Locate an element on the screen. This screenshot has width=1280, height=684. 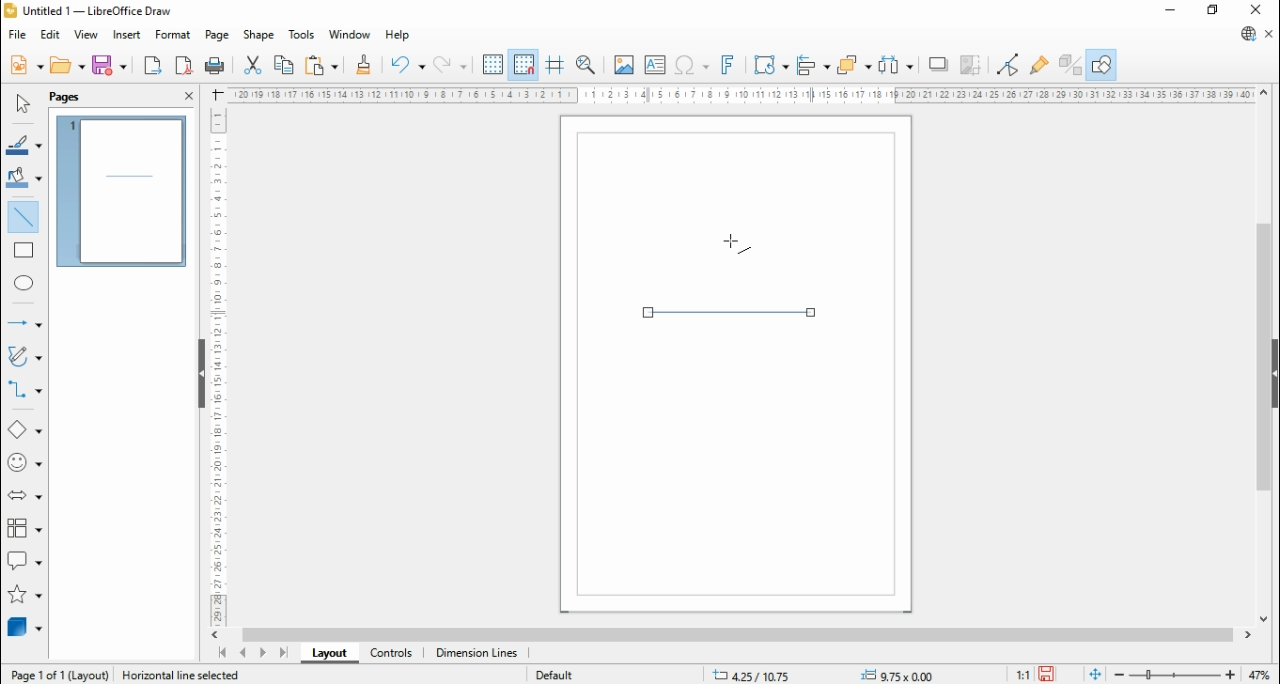
arrange is located at coordinates (856, 63).